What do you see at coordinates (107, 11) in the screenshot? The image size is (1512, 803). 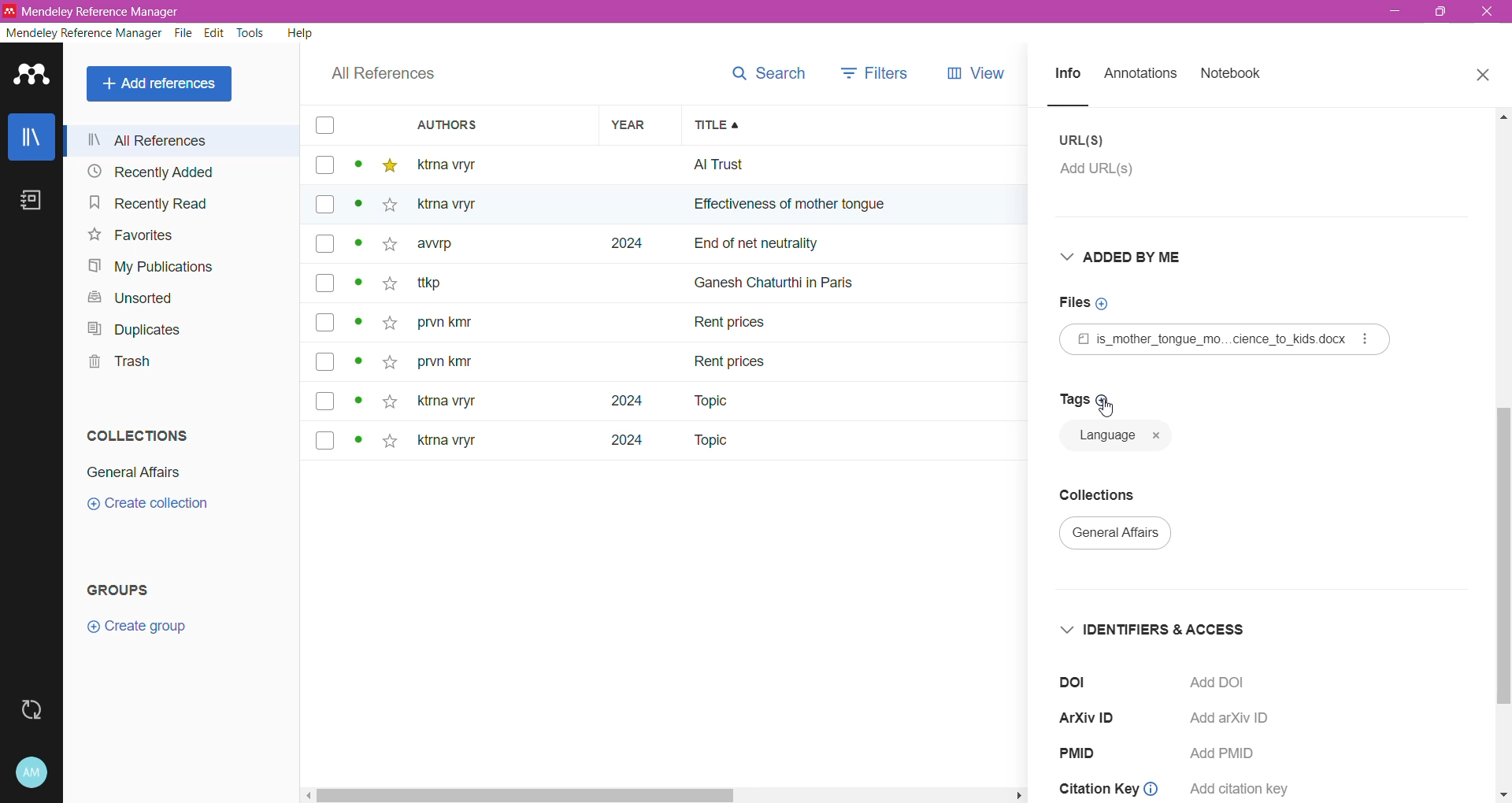 I see `Application Name` at bounding box center [107, 11].